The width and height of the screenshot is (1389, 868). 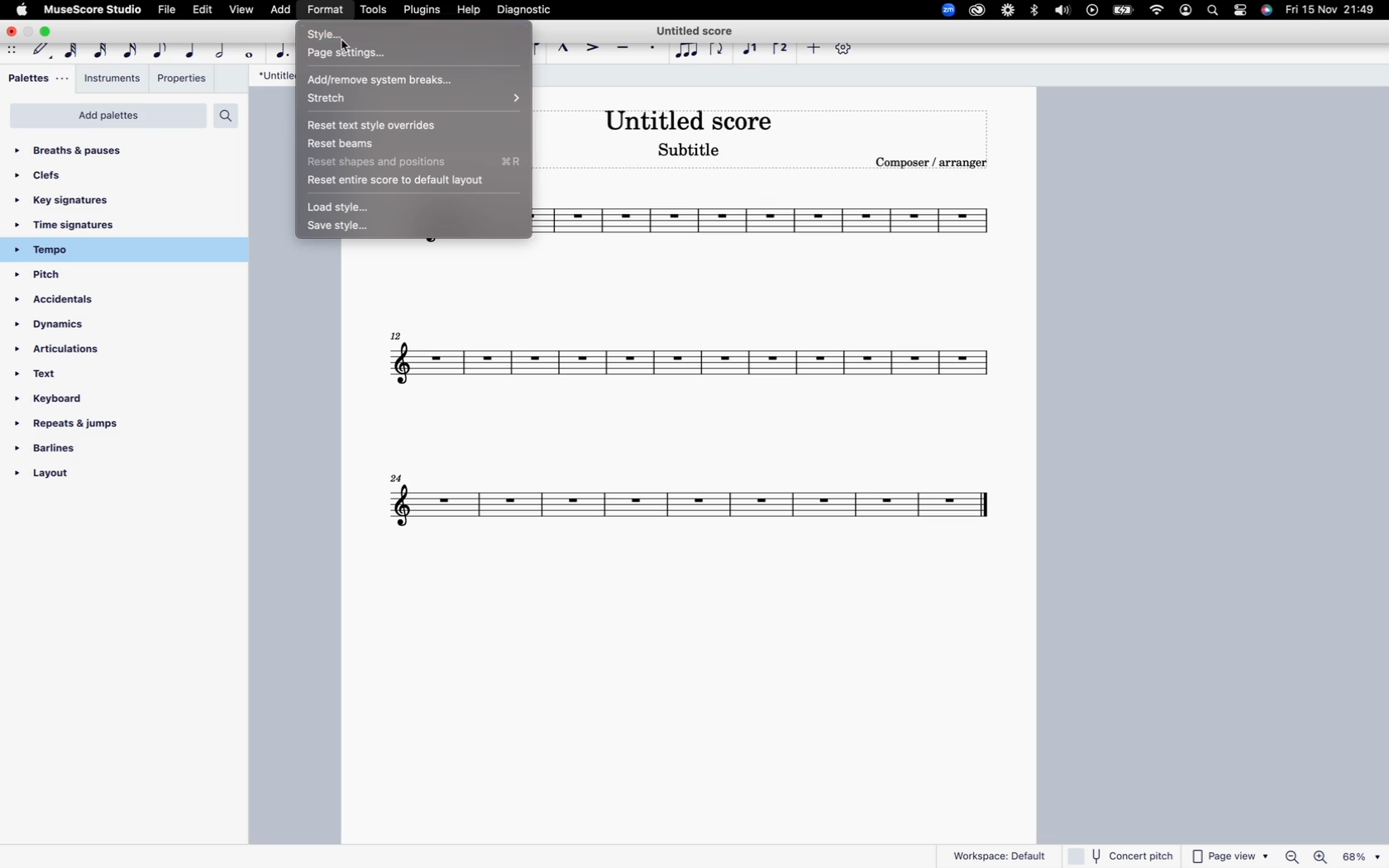 What do you see at coordinates (67, 401) in the screenshot?
I see `keyboard` at bounding box center [67, 401].